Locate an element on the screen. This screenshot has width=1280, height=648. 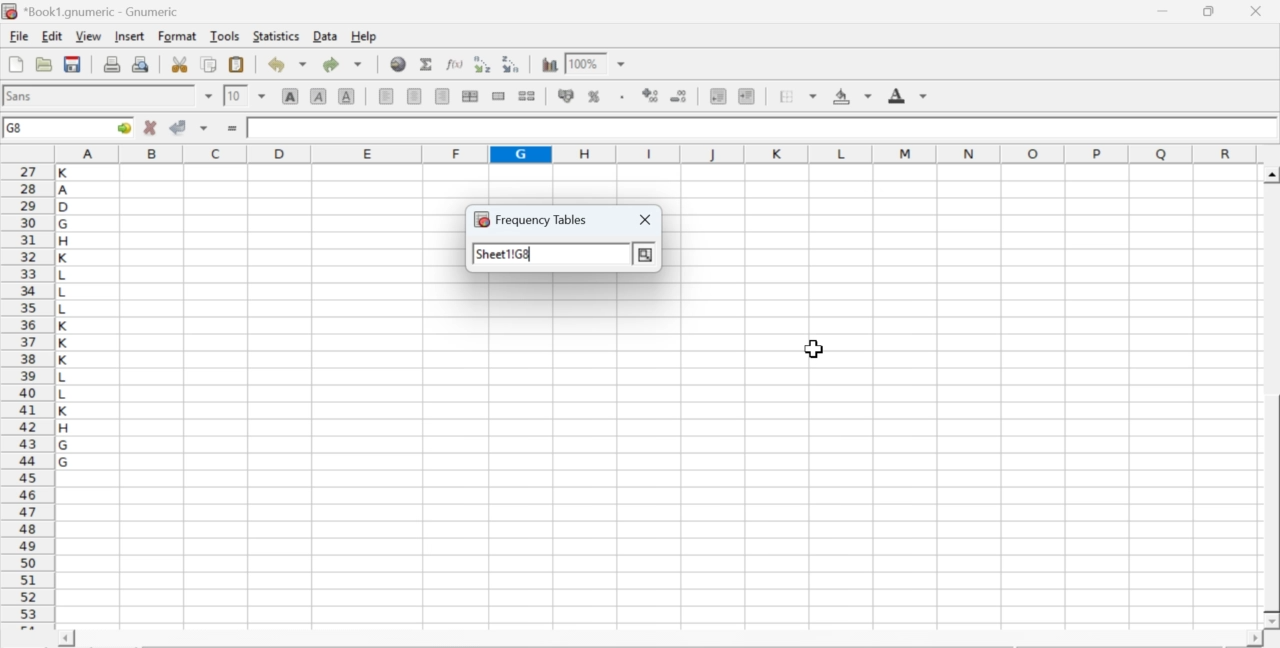
alphabets is located at coordinates (65, 393).